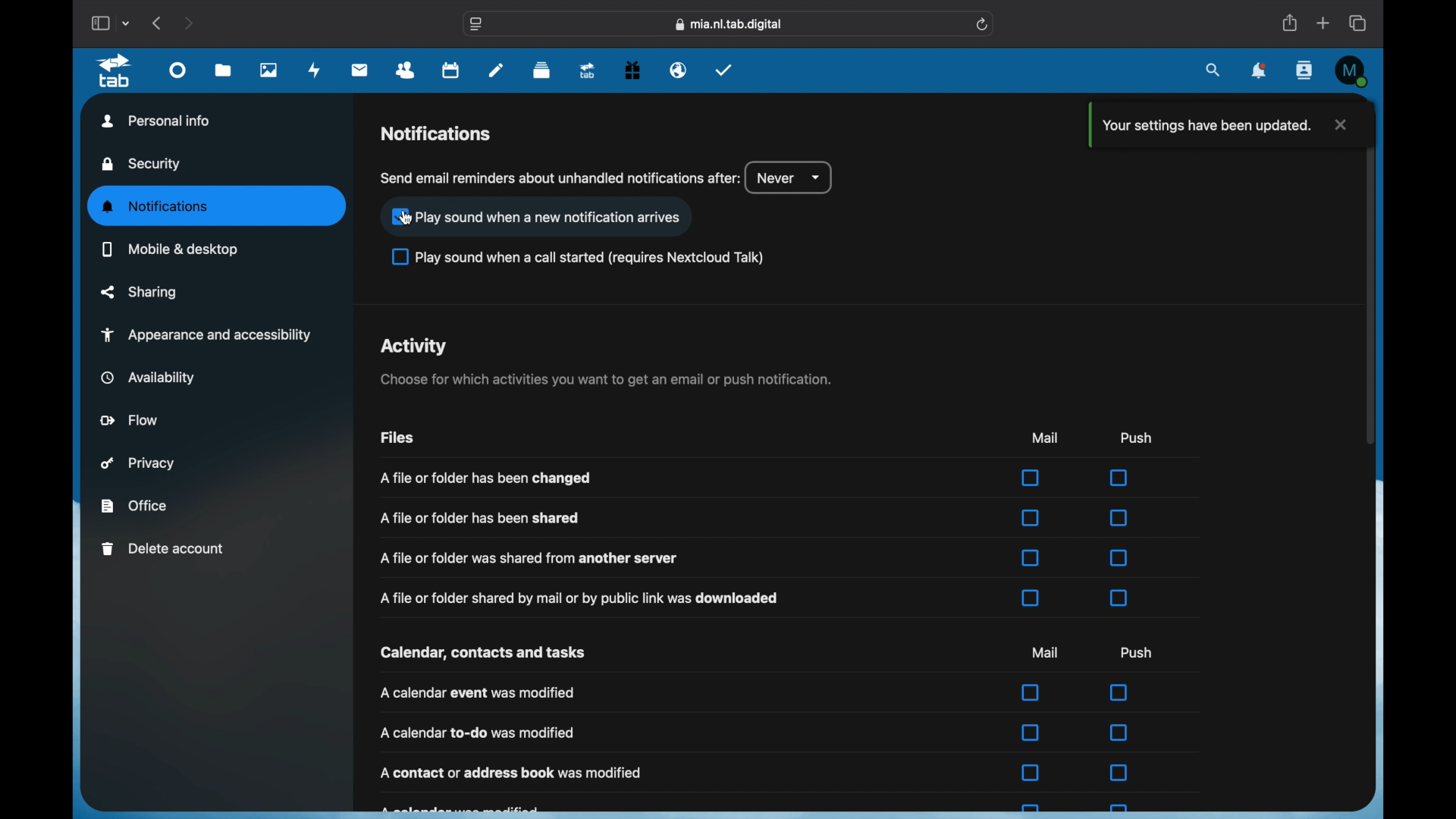 The height and width of the screenshot is (819, 1456). Describe the element at coordinates (1031, 517) in the screenshot. I see `checkbox` at that location.